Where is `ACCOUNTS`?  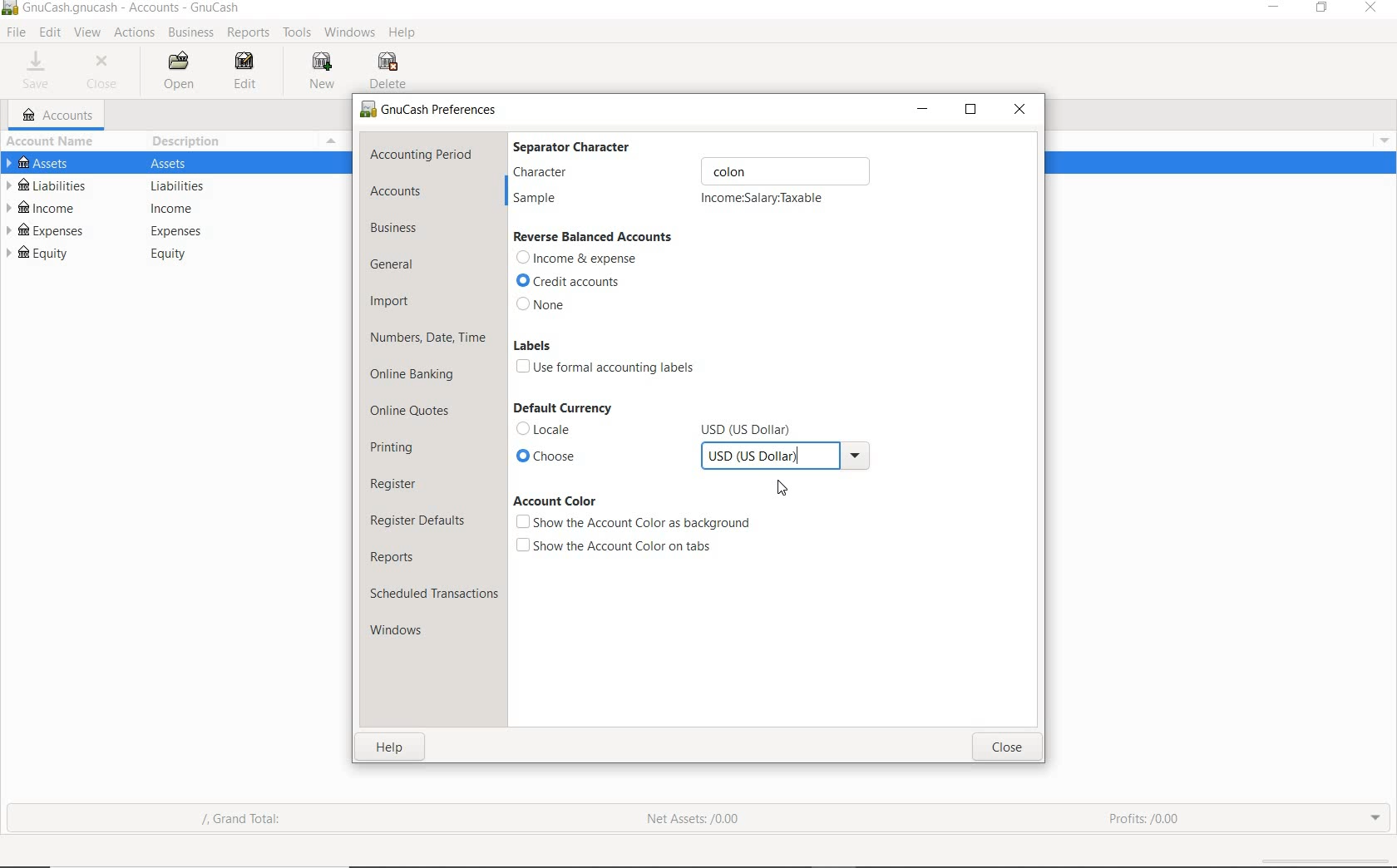 ACCOUNTS is located at coordinates (59, 116).